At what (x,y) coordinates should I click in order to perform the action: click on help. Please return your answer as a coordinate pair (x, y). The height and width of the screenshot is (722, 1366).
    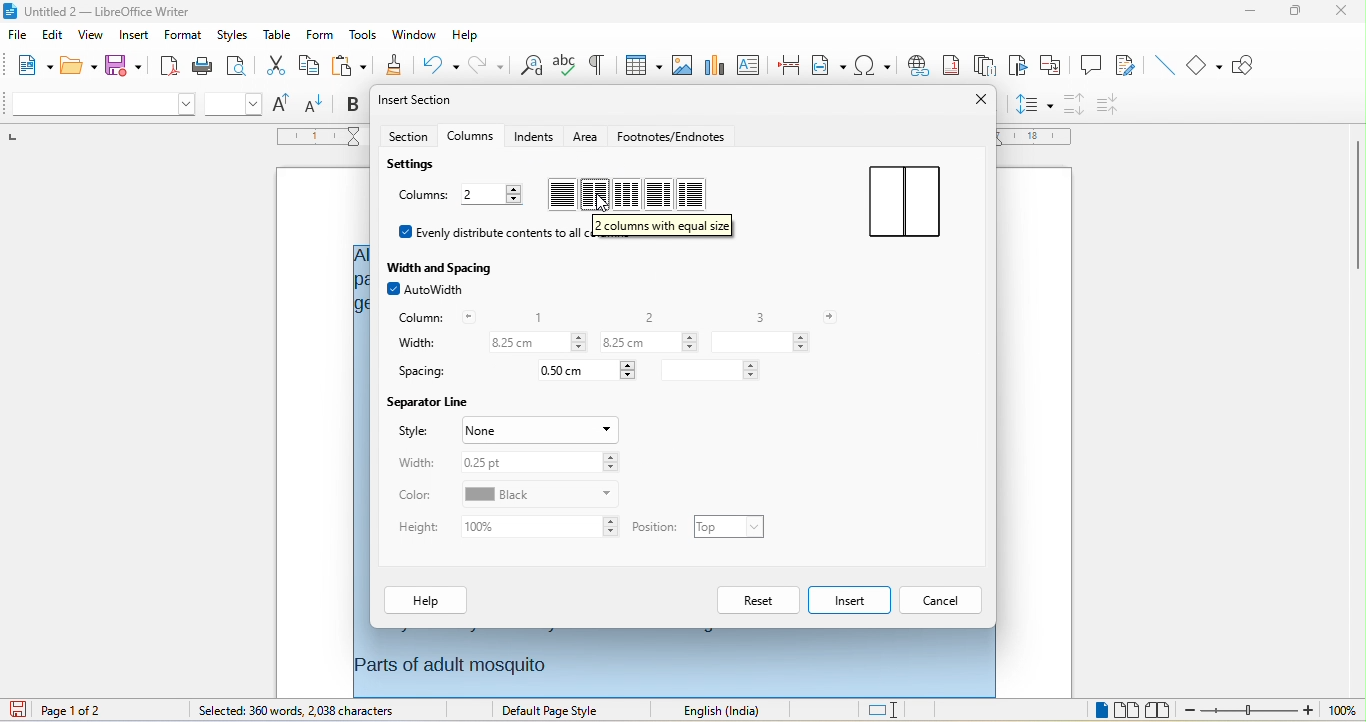
    Looking at the image, I should click on (463, 31).